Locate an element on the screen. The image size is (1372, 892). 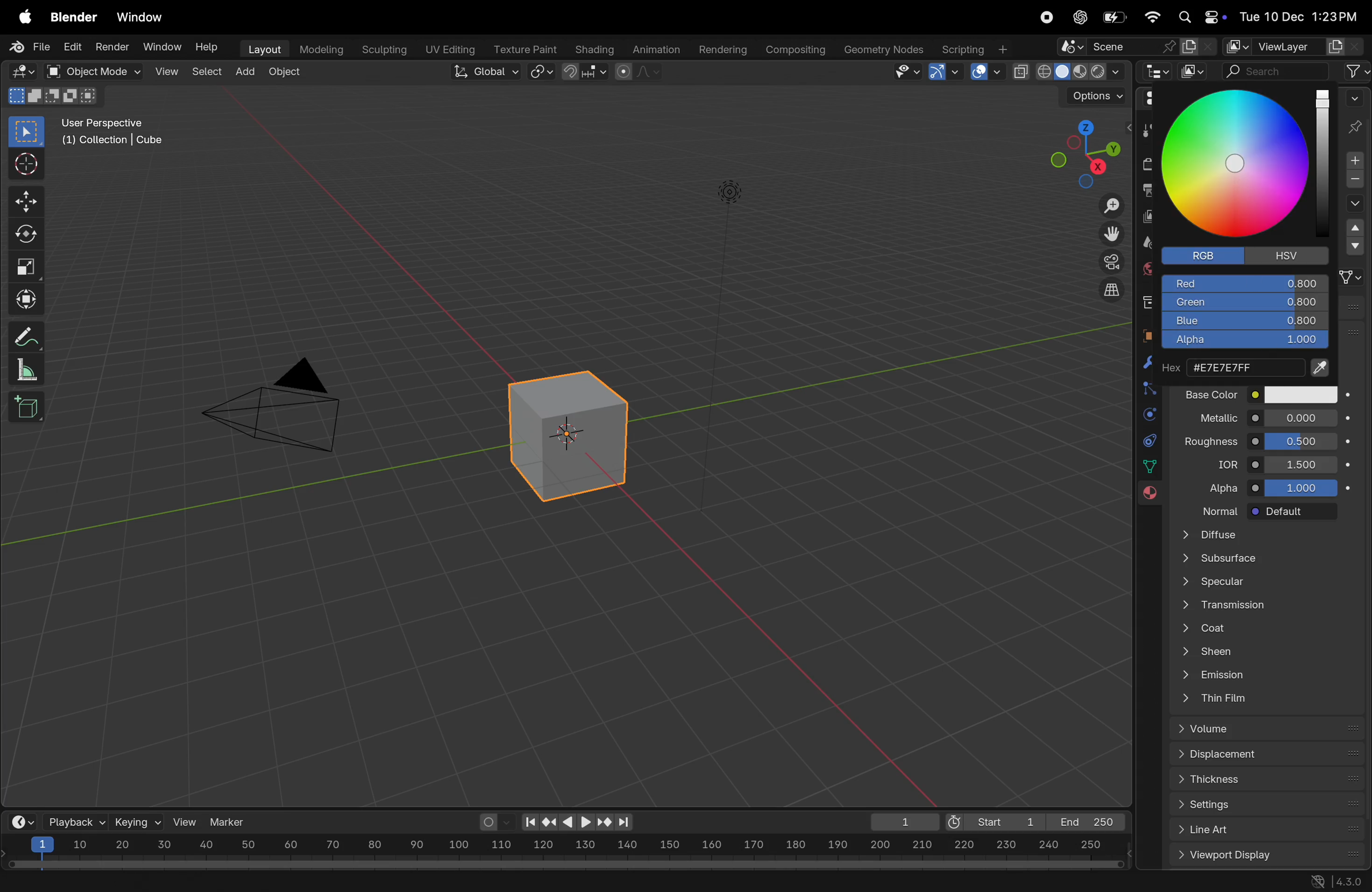
camera view  is located at coordinates (281, 402).